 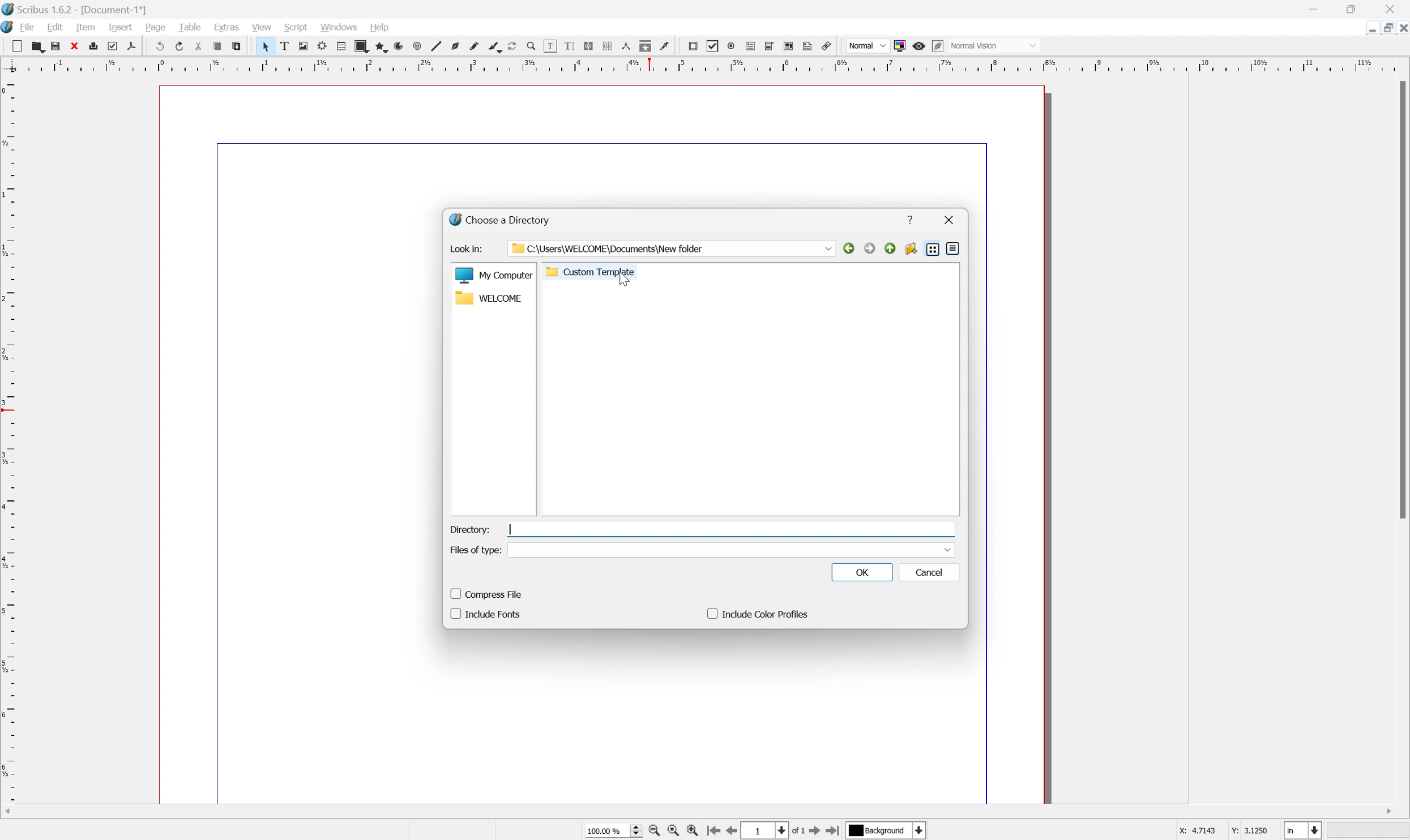 What do you see at coordinates (691, 46) in the screenshot?
I see `PDF push button` at bounding box center [691, 46].